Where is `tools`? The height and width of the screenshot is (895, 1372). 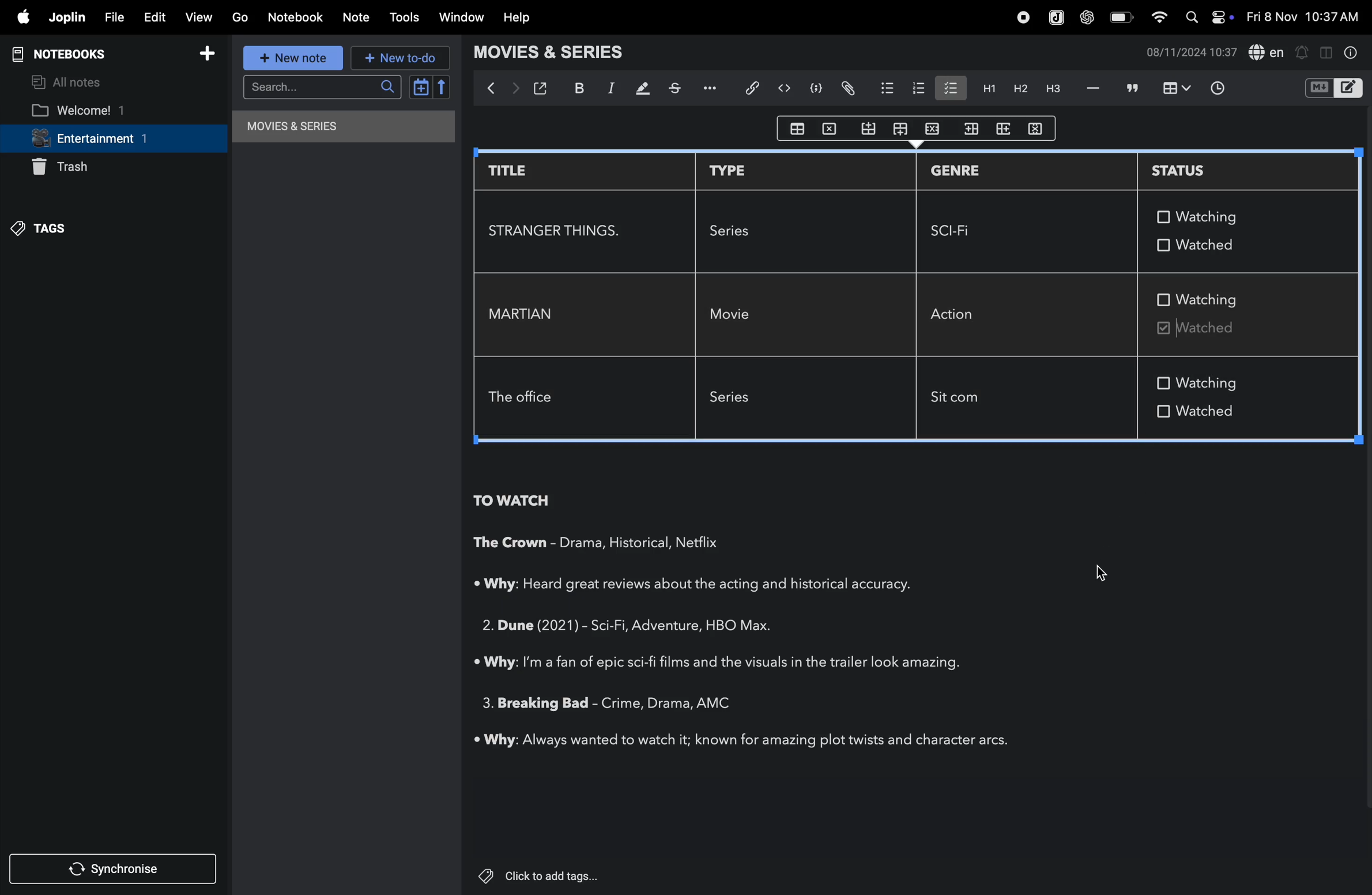 tools is located at coordinates (405, 17).